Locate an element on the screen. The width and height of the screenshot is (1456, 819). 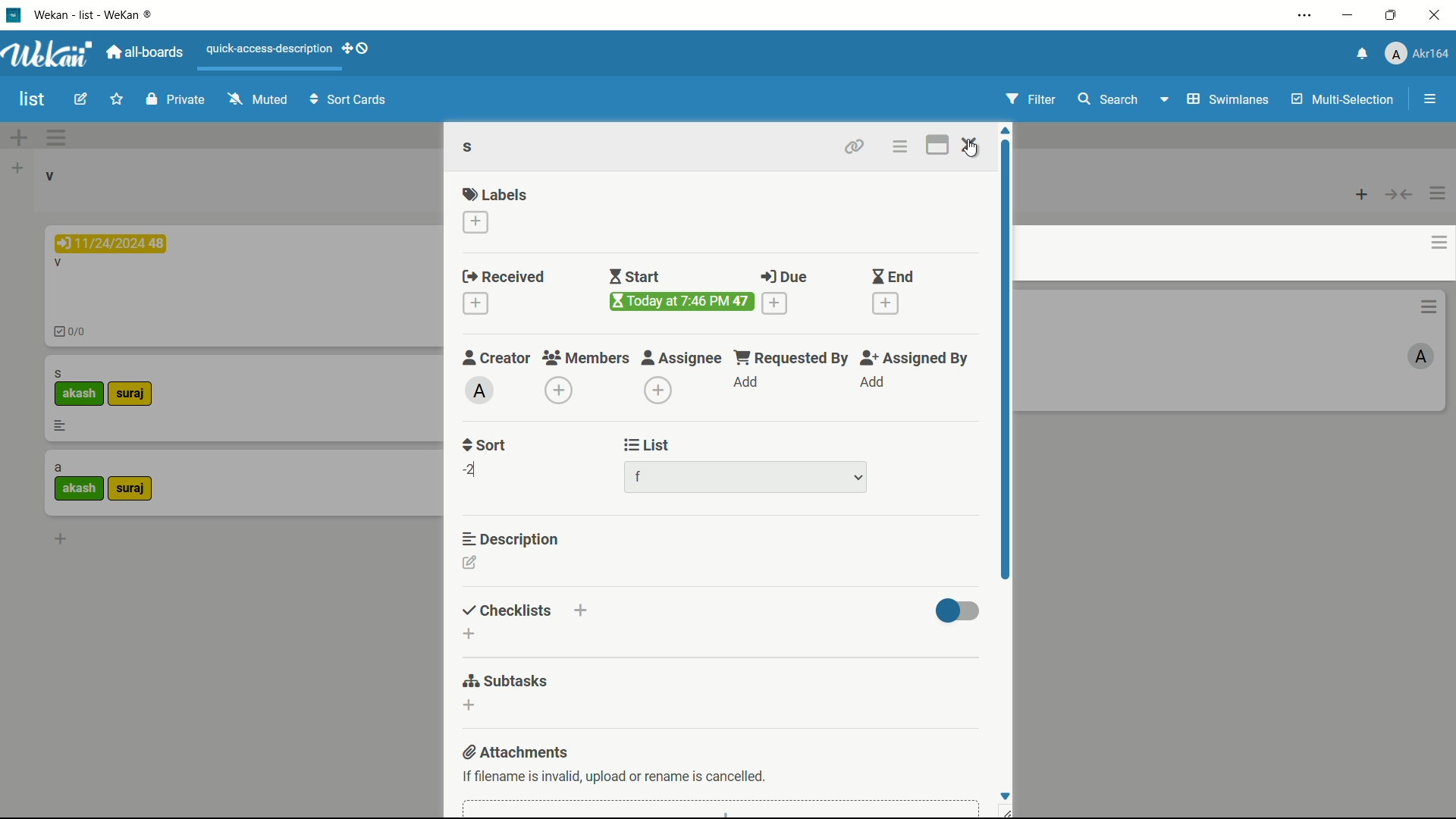
add swimlane is located at coordinates (19, 139).